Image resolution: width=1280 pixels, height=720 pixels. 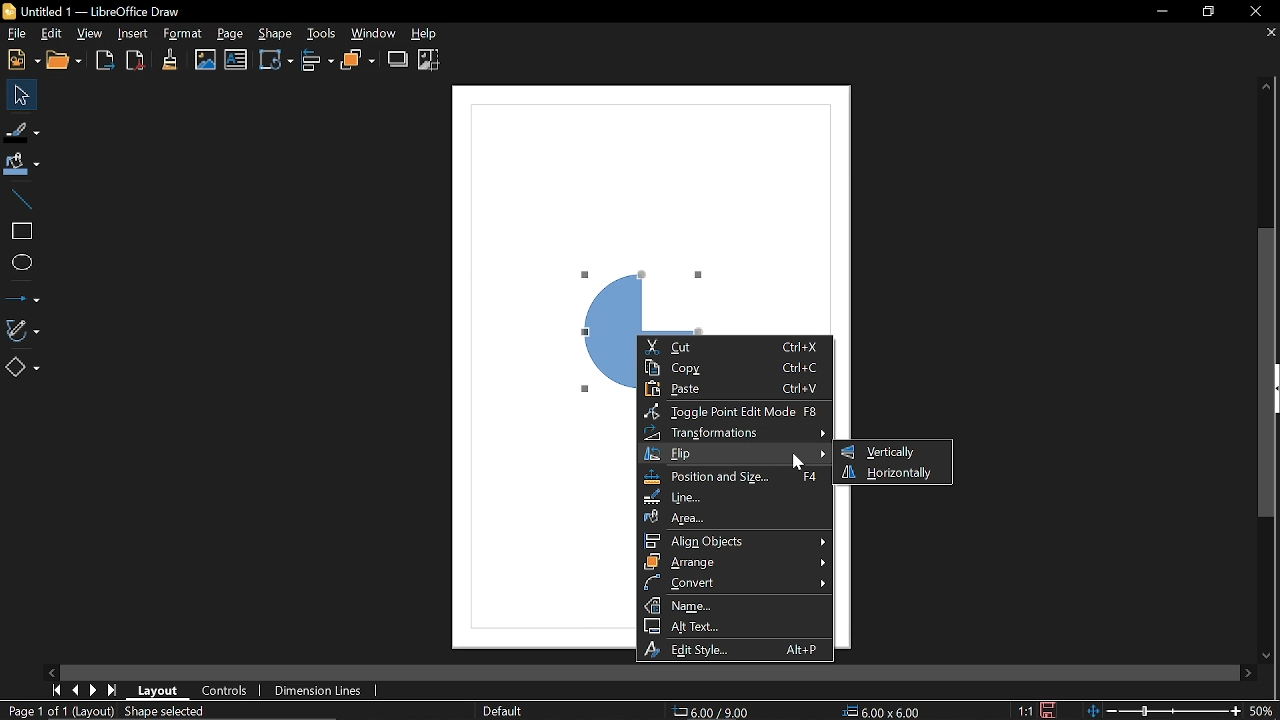 What do you see at coordinates (734, 498) in the screenshot?
I see `Line` at bounding box center [734, 498].